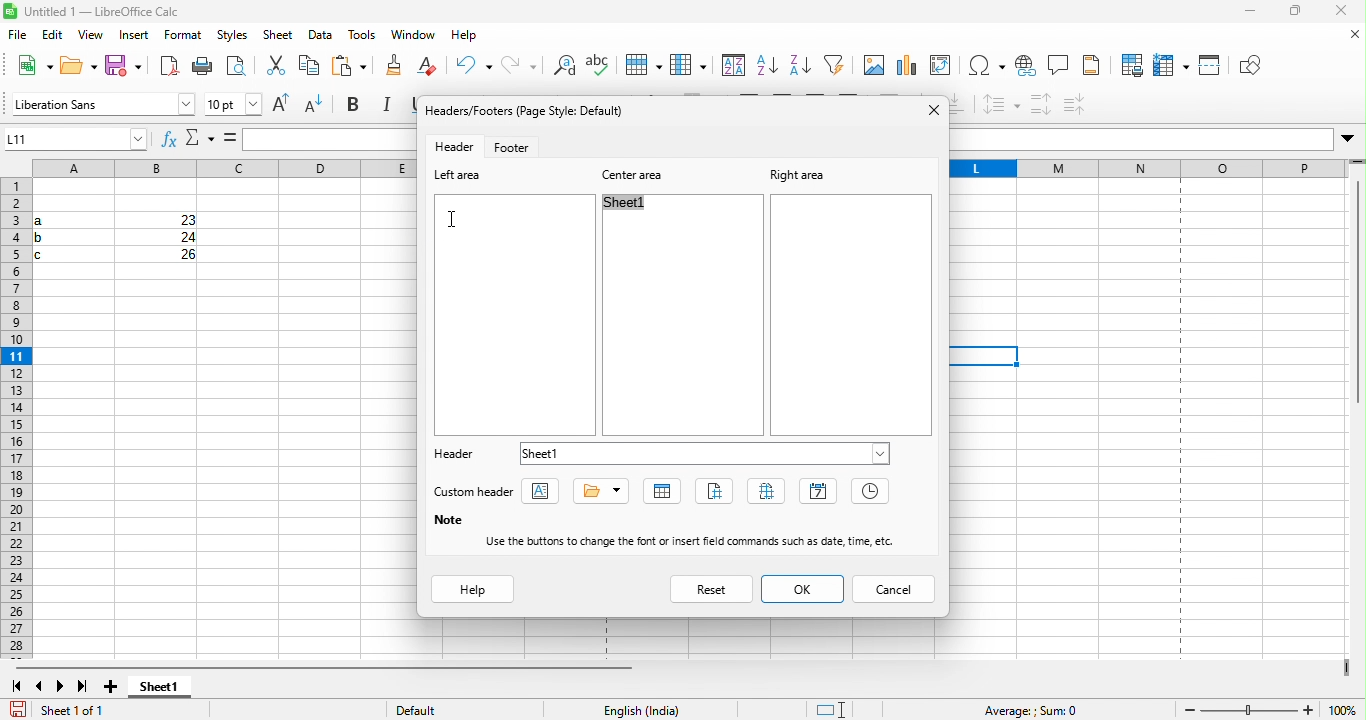 The image size is (1366, 720). Describe the element at coordinates (317, 106) in the screenshot. I see `decrease font size` at that location.